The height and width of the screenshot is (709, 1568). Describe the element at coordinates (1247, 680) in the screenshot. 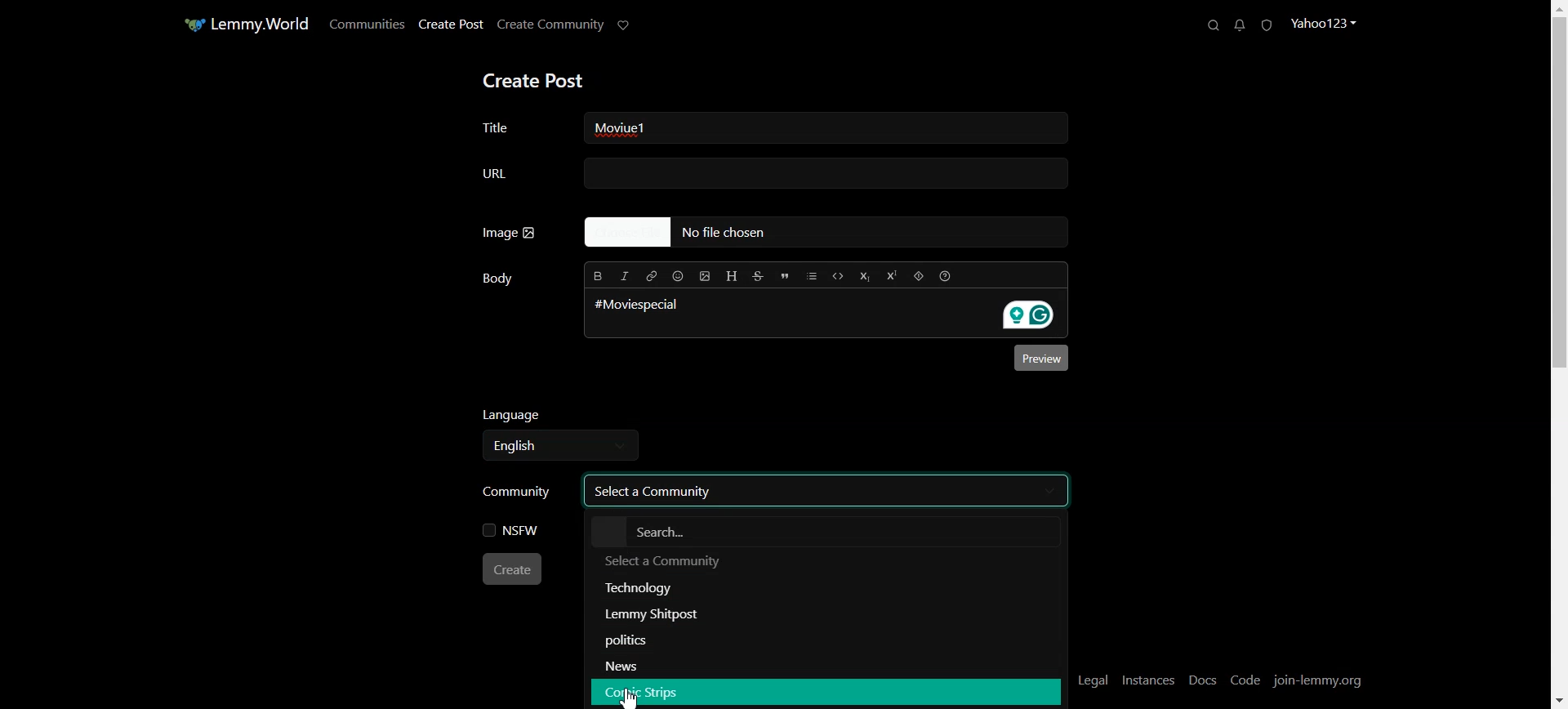

I see `Code` at that location.